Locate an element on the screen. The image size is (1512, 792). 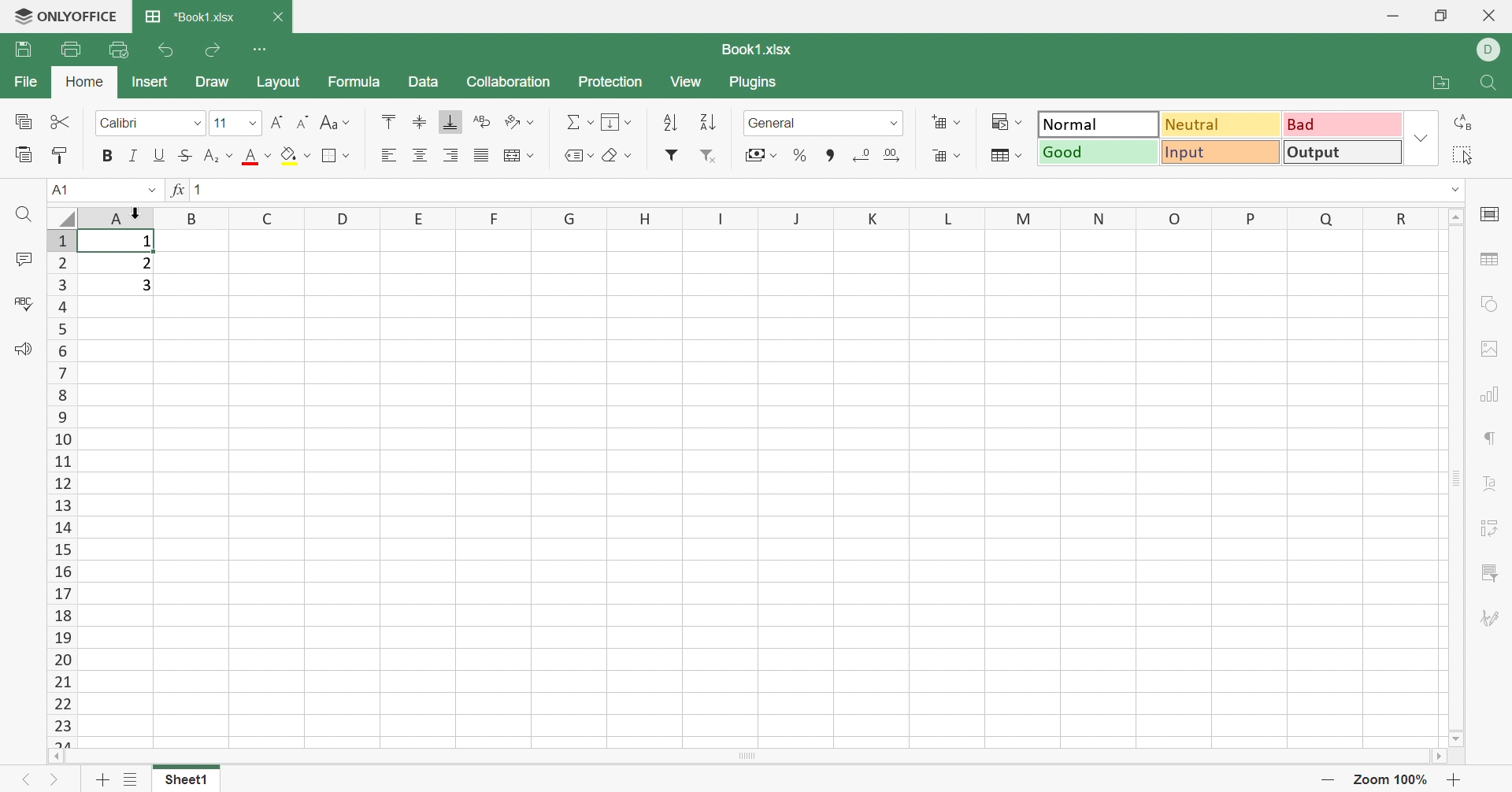
Paste is located at coordinates (24, 154).